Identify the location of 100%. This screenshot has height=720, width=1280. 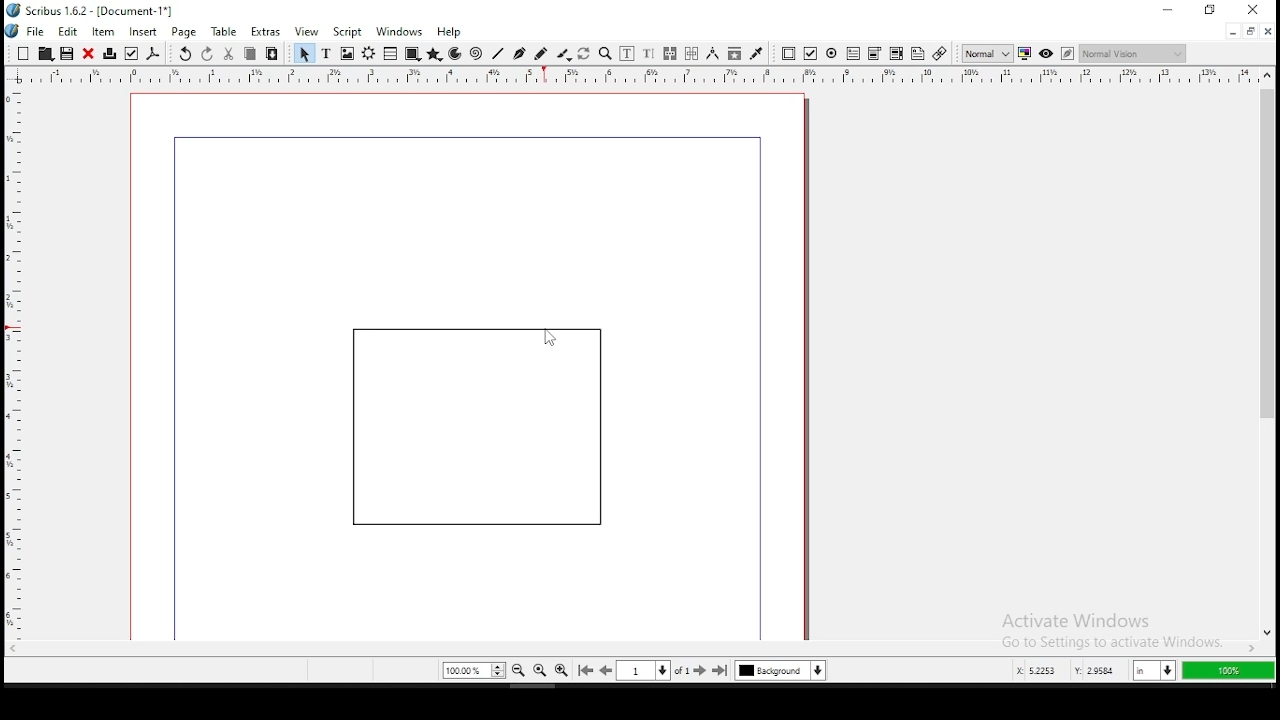
(1228, 671).